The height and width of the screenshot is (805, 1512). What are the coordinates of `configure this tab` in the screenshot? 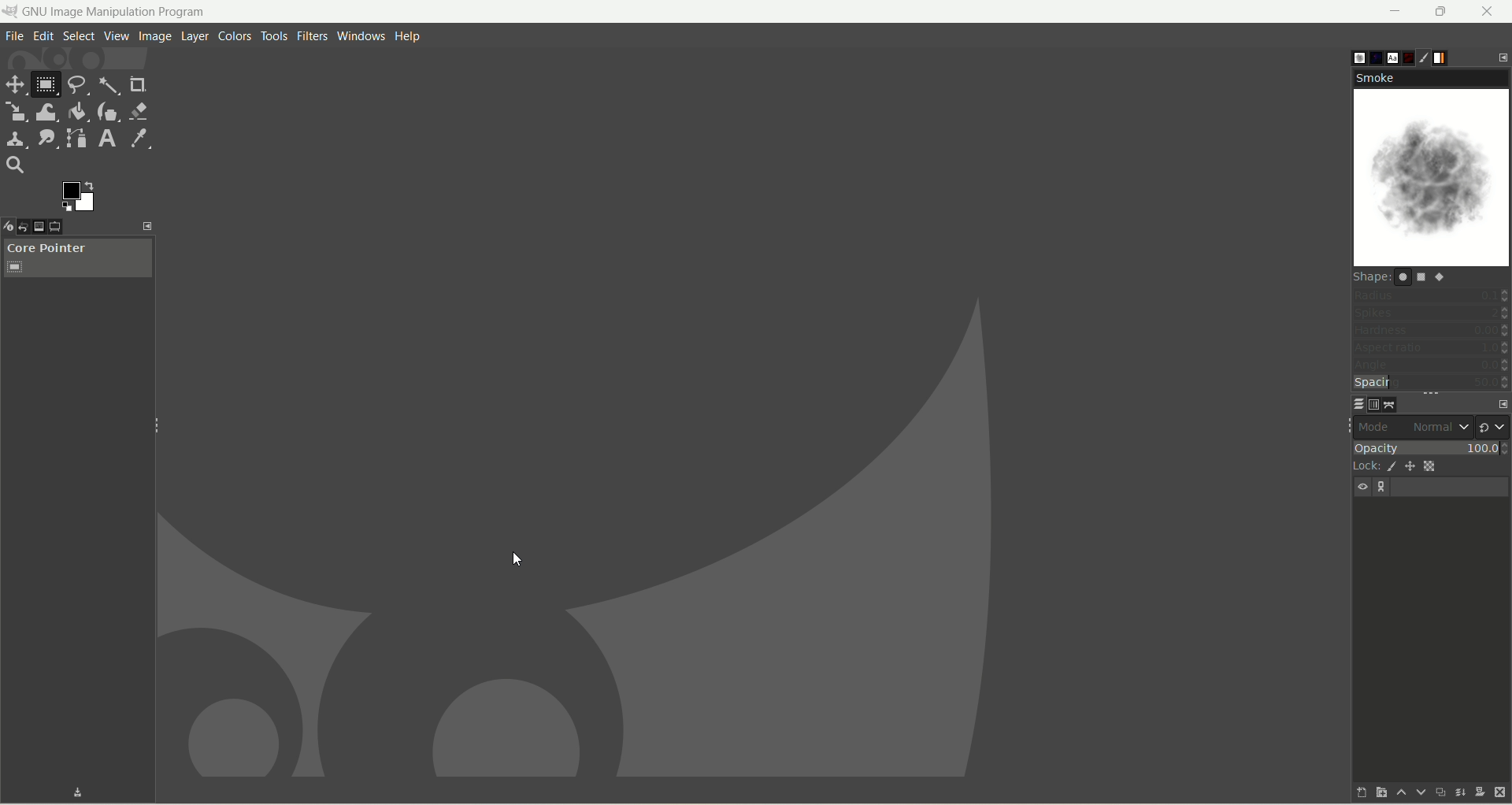 It's located at (146, 227).